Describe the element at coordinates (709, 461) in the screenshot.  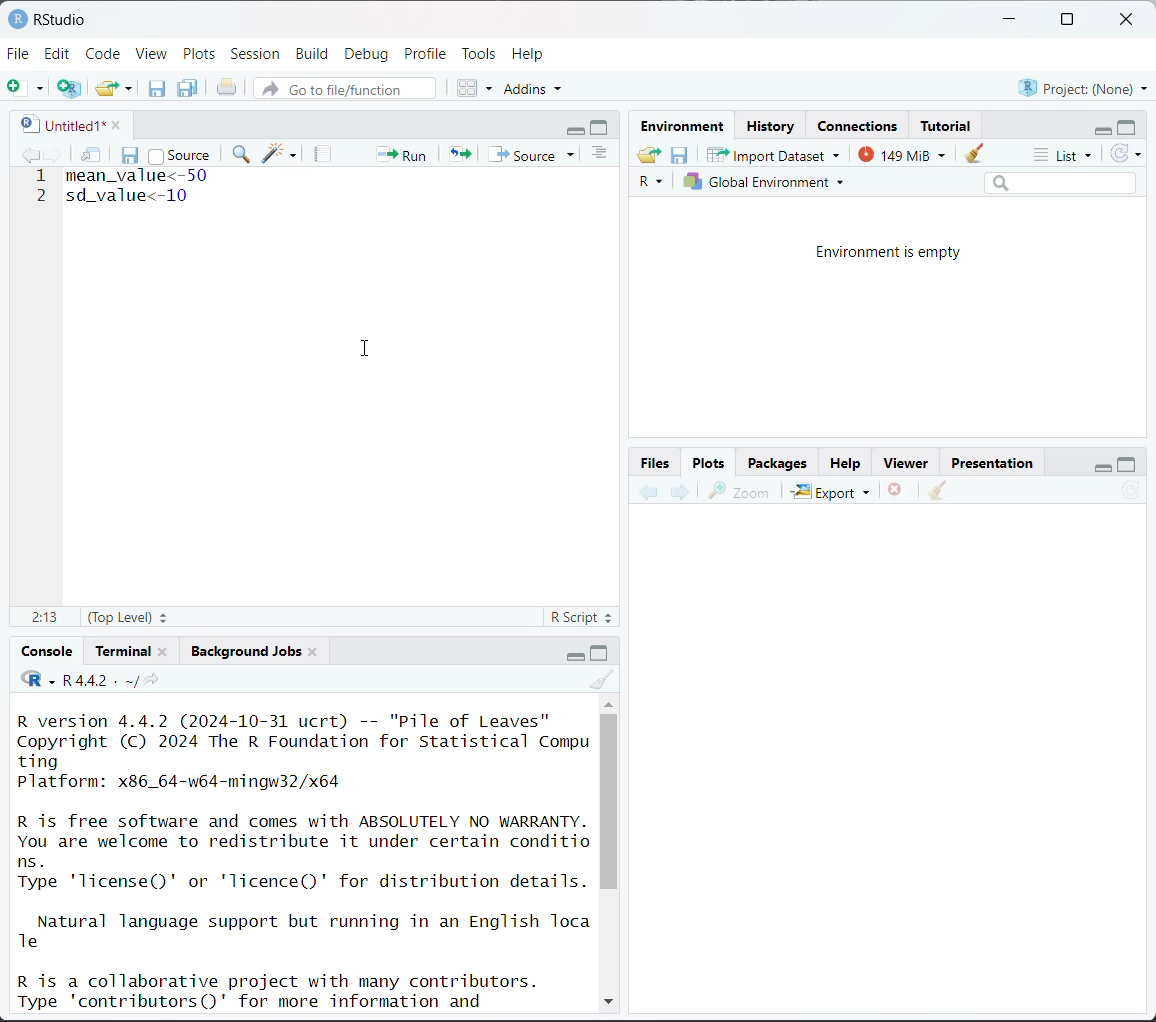
I see `Plots` at that location.